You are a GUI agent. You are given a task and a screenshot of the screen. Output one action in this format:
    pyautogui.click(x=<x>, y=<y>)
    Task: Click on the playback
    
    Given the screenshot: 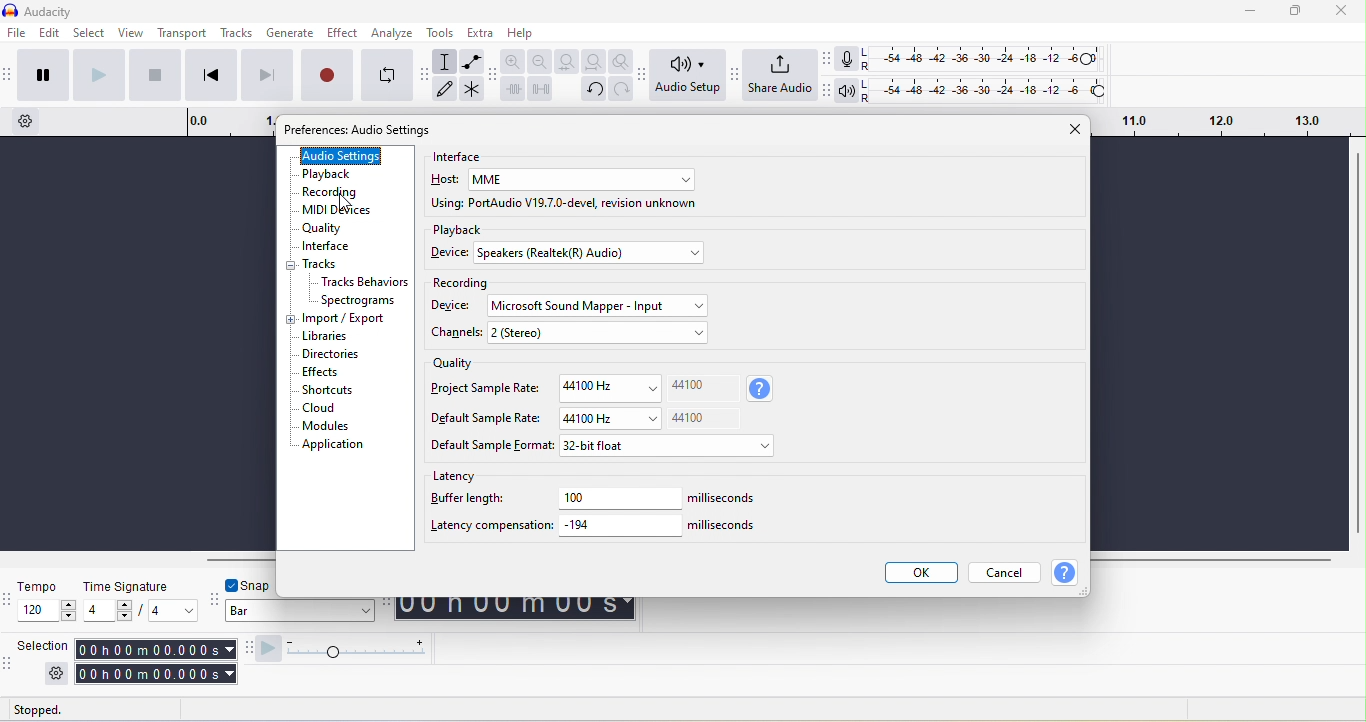 What is the action you would take?
    pyautogui.click(x=333, y=176)
    